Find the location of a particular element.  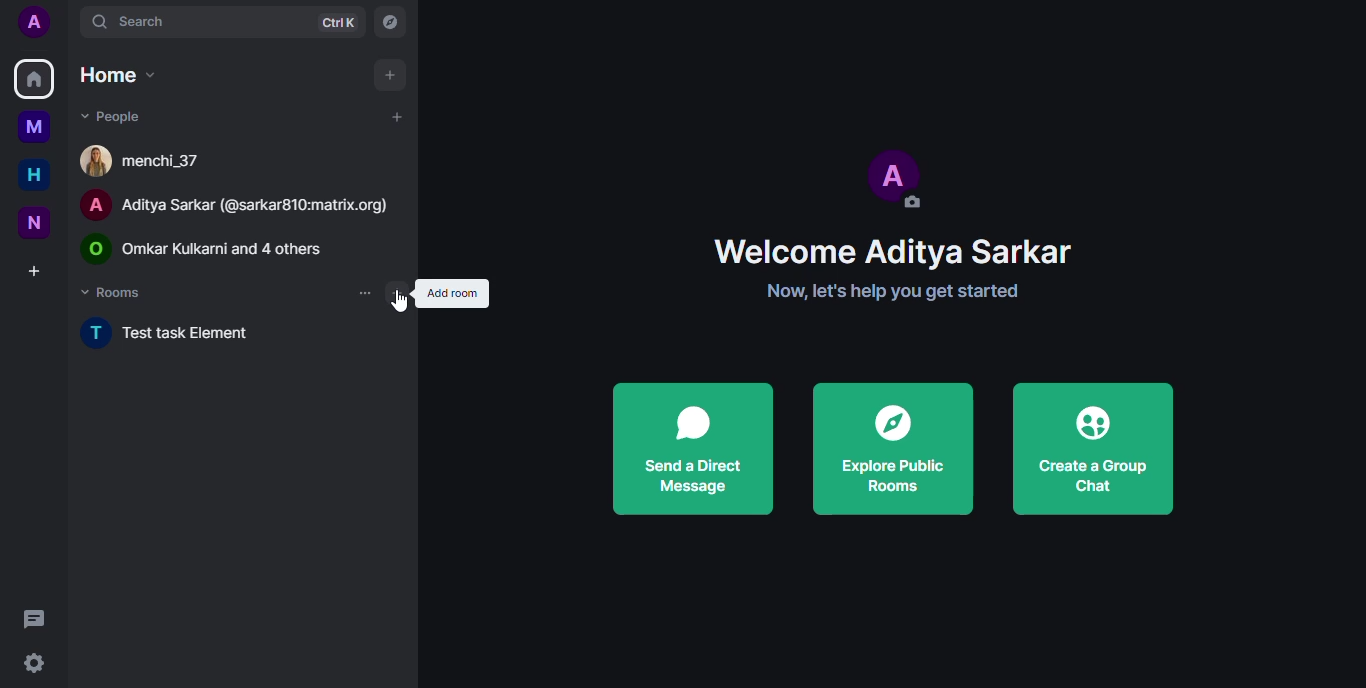

navigator is located at coordinates (389, 21).